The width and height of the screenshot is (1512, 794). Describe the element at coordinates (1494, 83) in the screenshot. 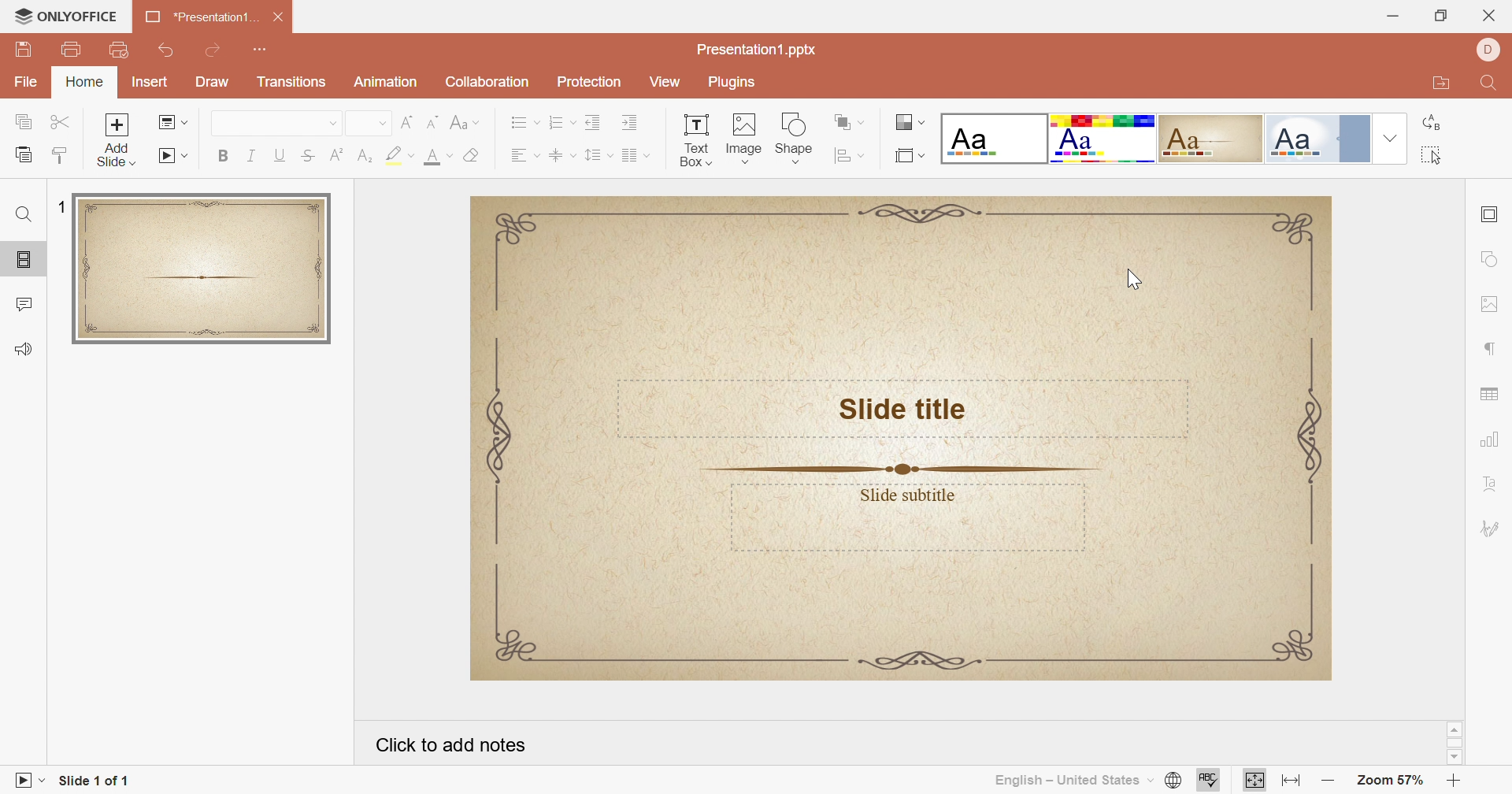

I see `Find` at that location.